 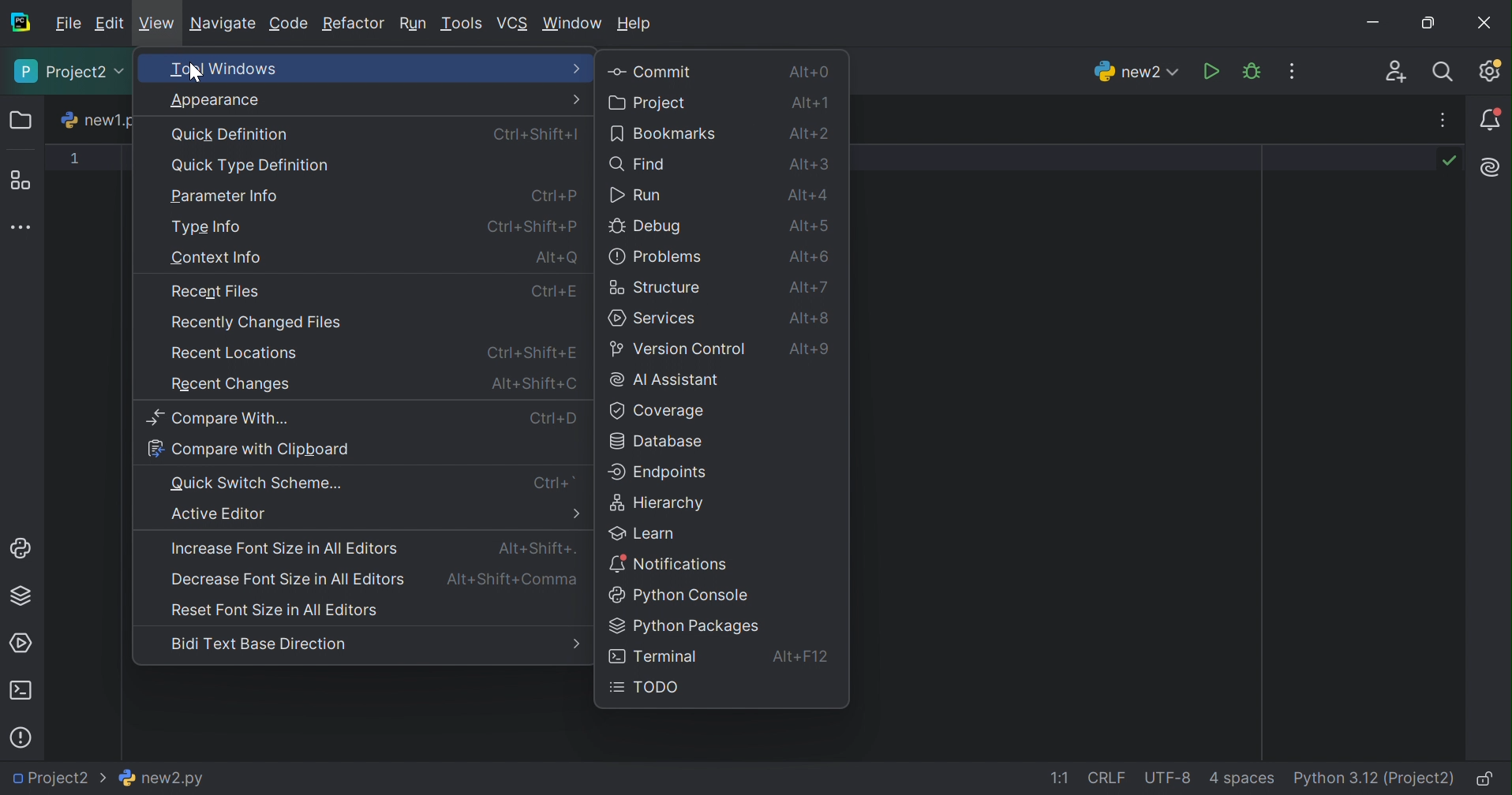 What do you see at coordinates (684, 626) in the screenshot?
I see `Python packages` at bounding box center [684, 626].